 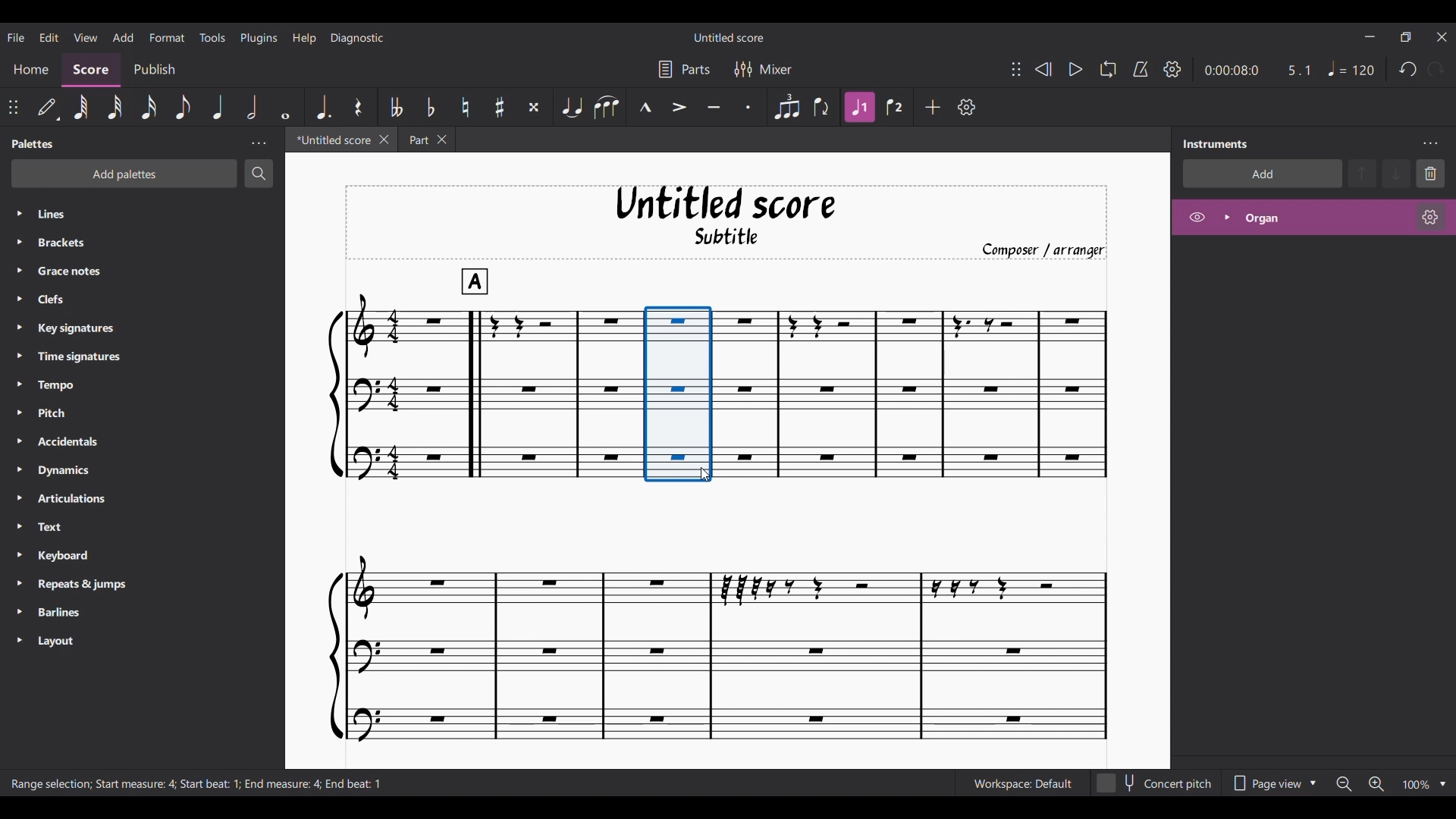 I want to click on Parts, so click(x=684, y=70).